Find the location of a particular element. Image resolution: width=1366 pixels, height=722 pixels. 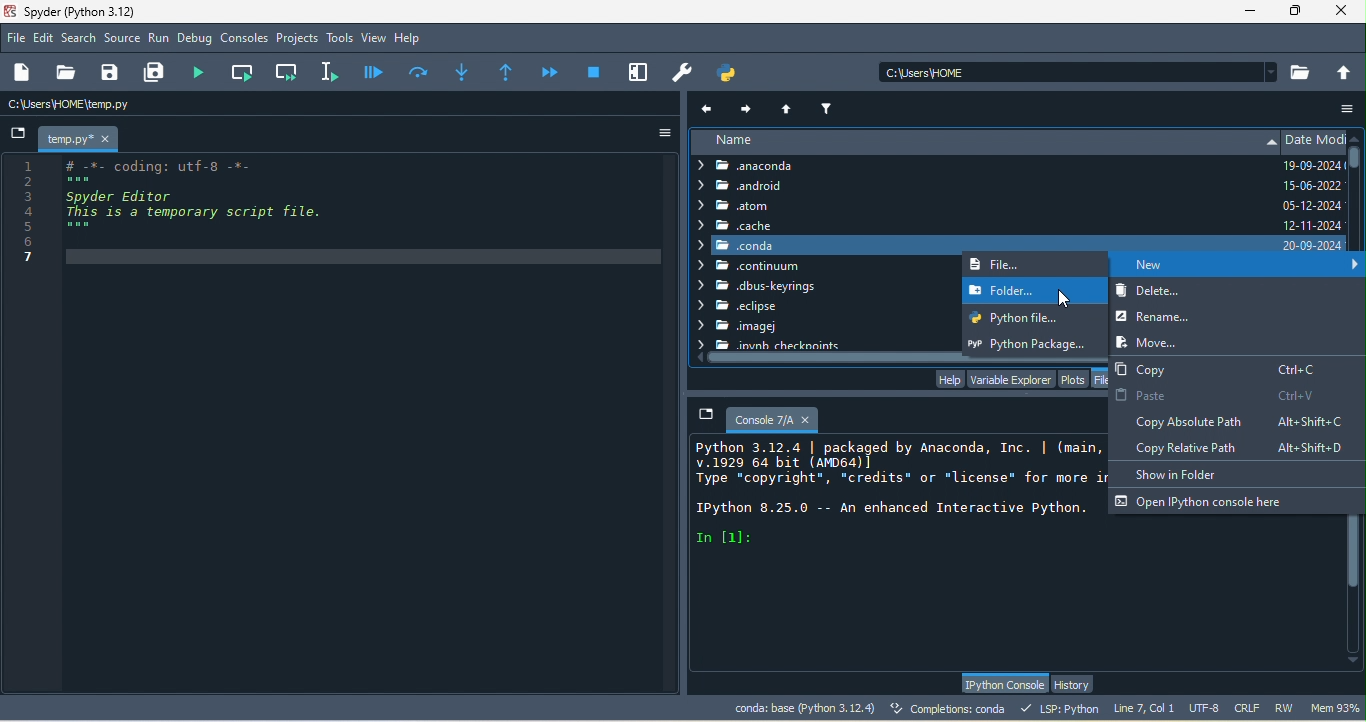

projects is located at coordinates (298, 39).